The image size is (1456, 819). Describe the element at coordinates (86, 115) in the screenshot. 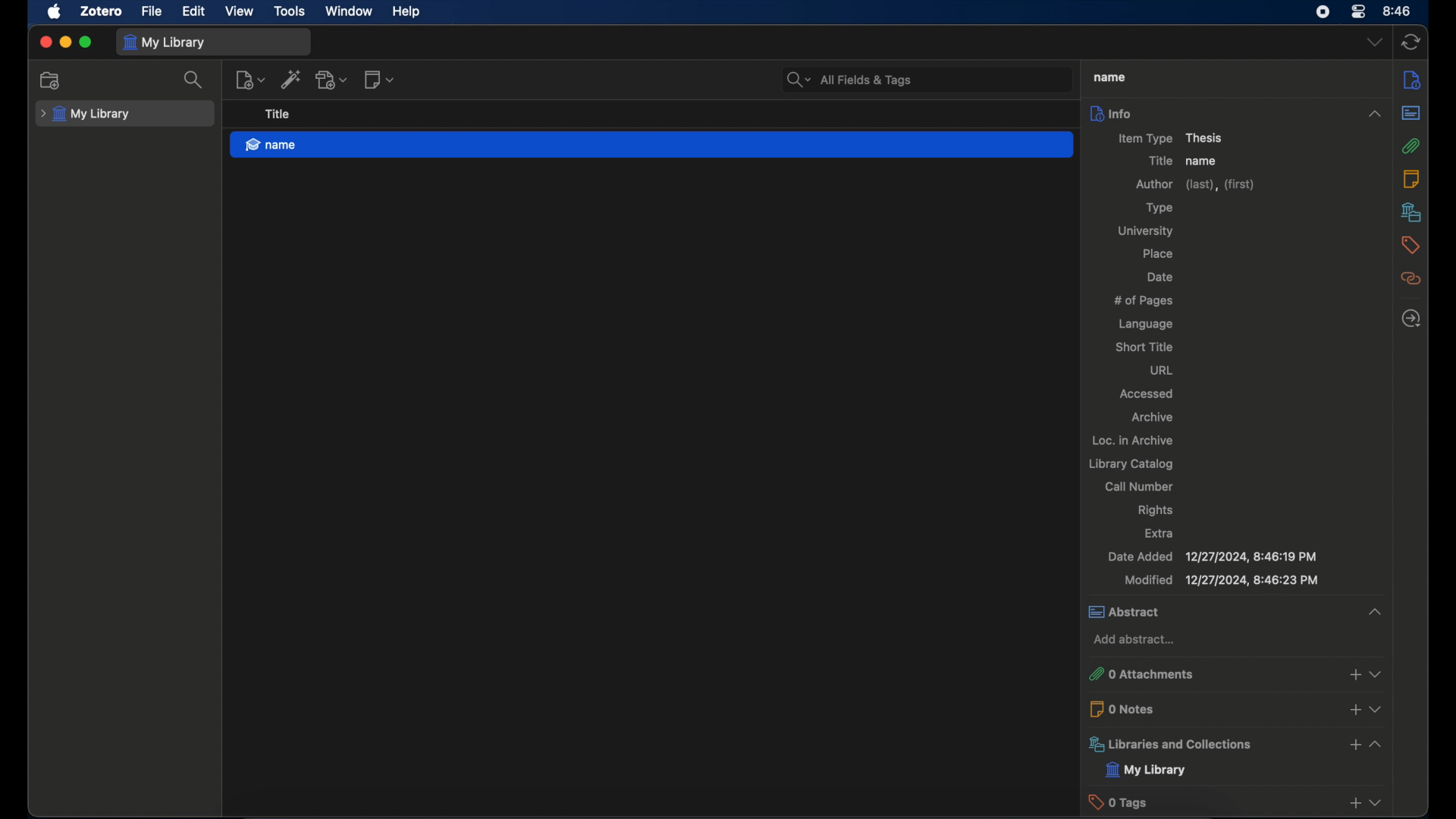

I see `my library` at that location.